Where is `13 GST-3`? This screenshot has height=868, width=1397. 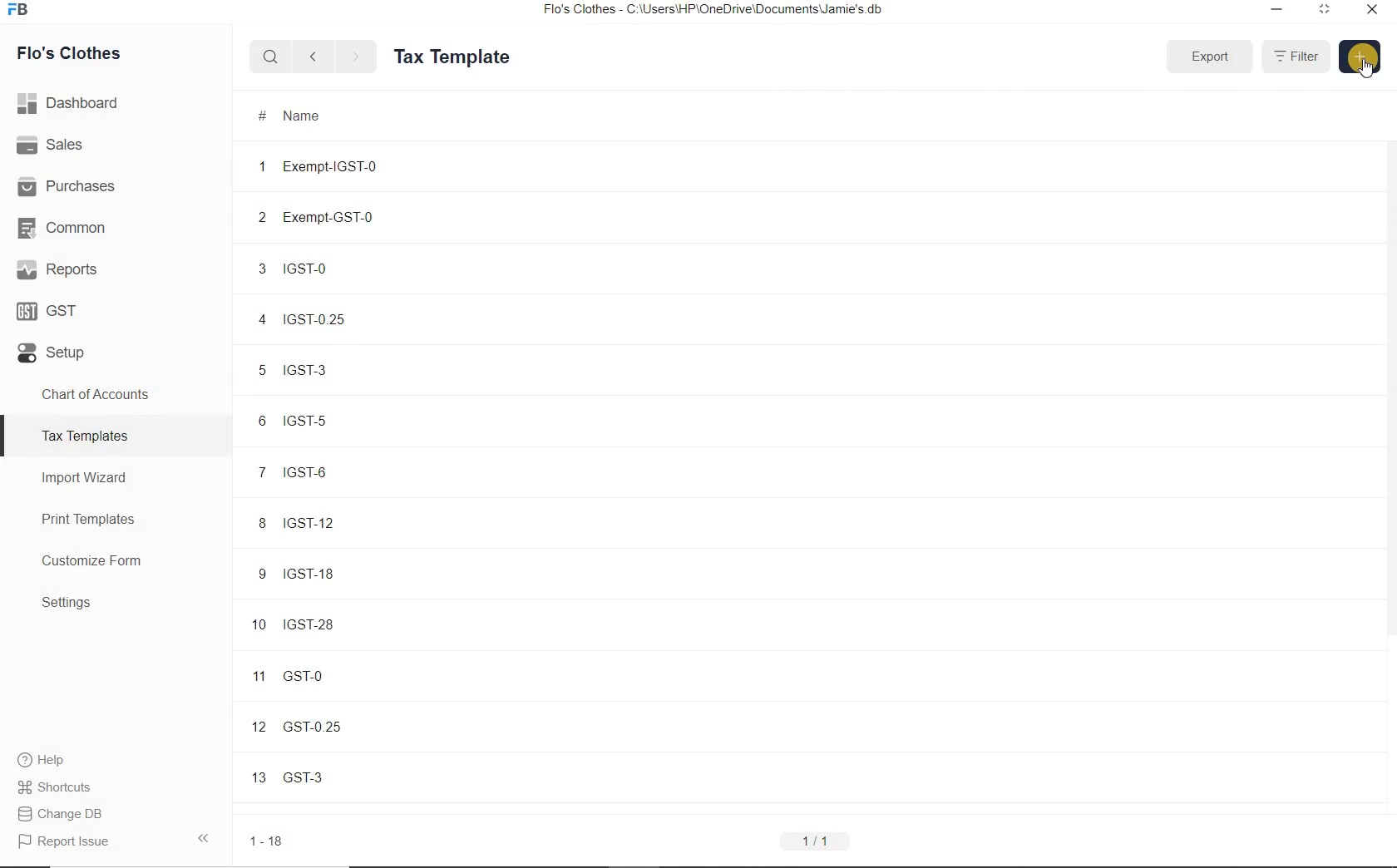 13 GST-3 is located at coordinates (349, 776).